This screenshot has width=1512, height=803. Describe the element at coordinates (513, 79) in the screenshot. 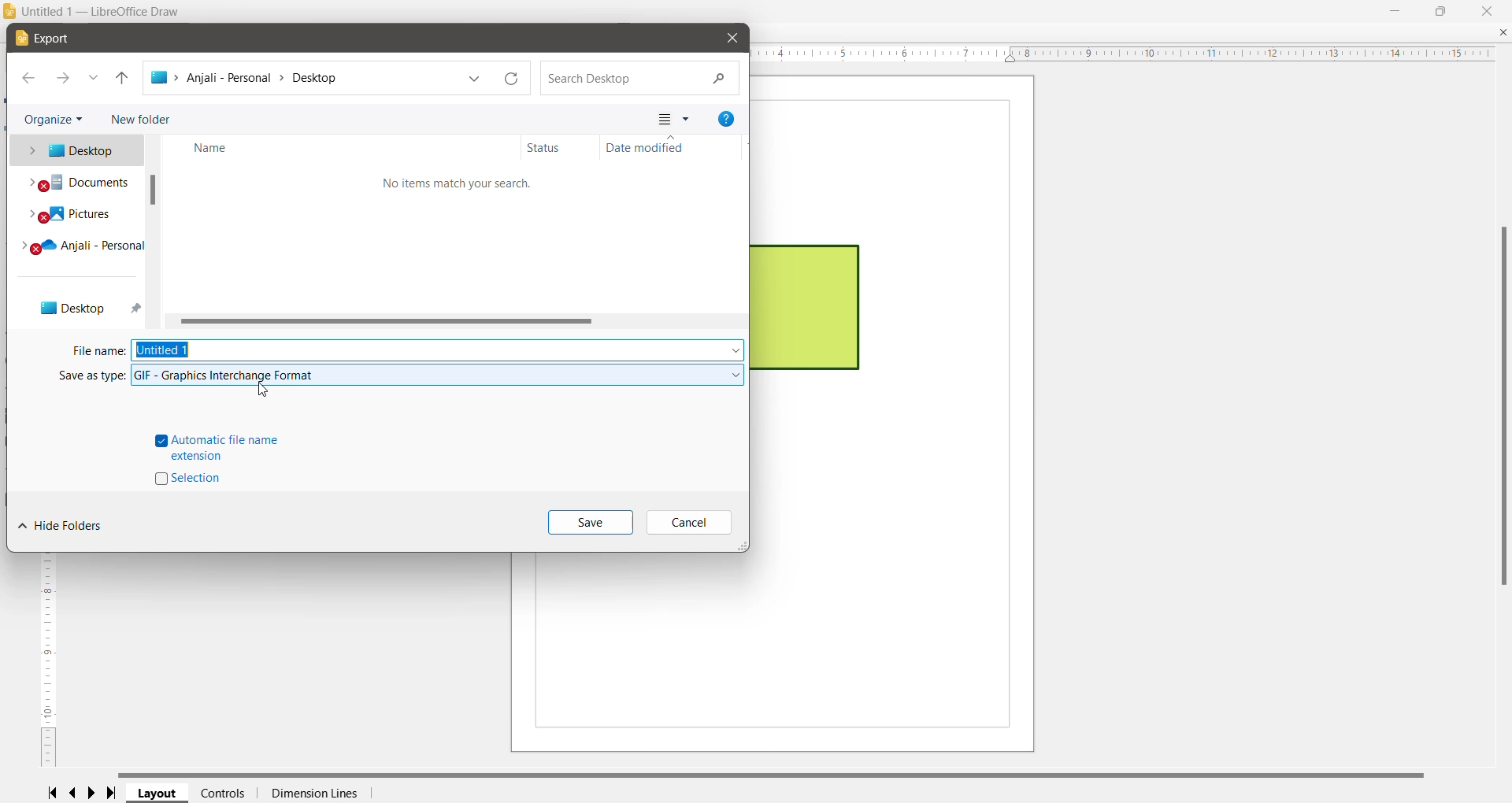

I see `Refresh current path` at that location.